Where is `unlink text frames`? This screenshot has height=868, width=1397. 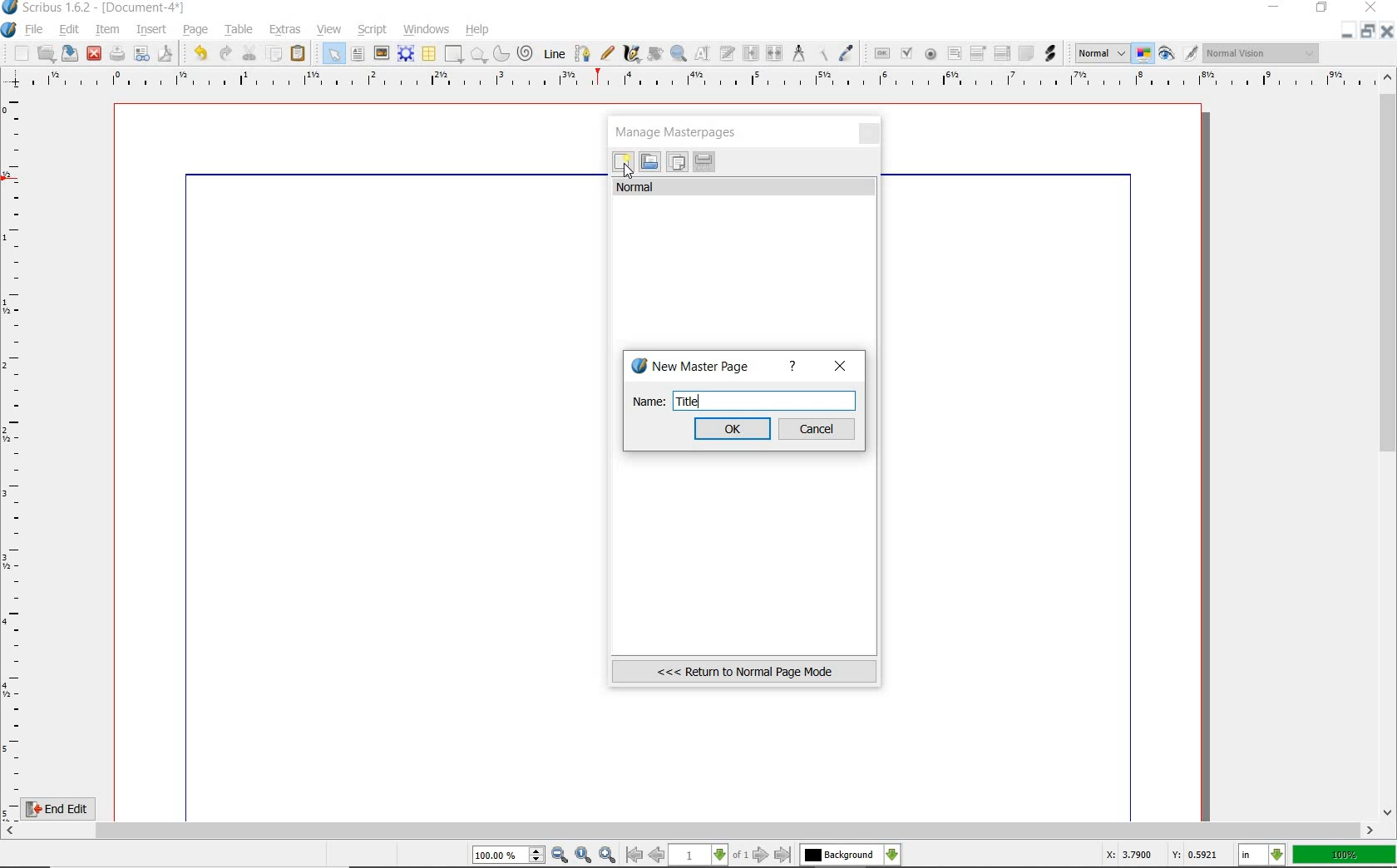
unlink text frames is located at coordinates (775, 54).